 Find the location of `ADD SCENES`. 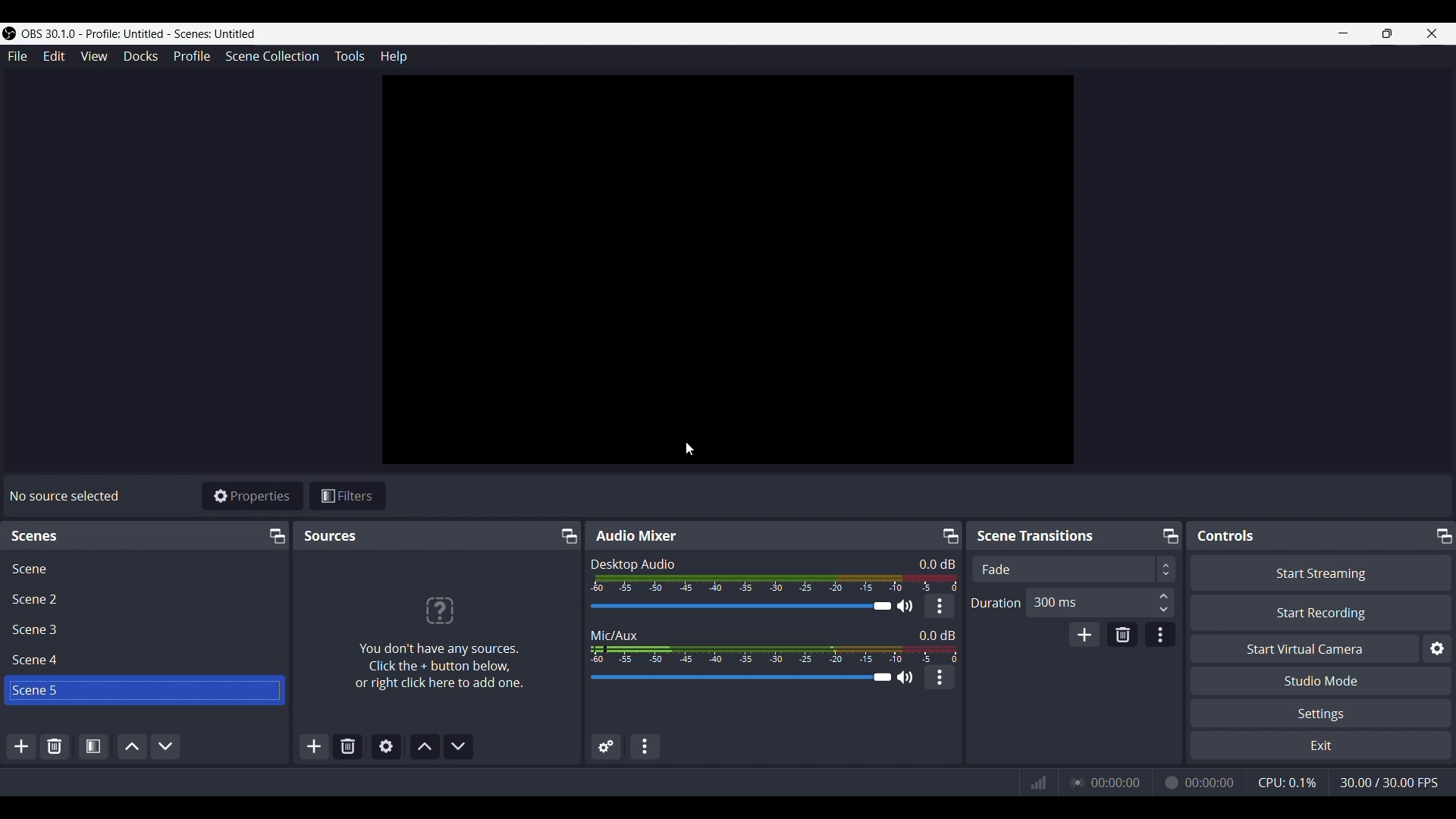

ADD SCENES is located at coordinates (23, 748).